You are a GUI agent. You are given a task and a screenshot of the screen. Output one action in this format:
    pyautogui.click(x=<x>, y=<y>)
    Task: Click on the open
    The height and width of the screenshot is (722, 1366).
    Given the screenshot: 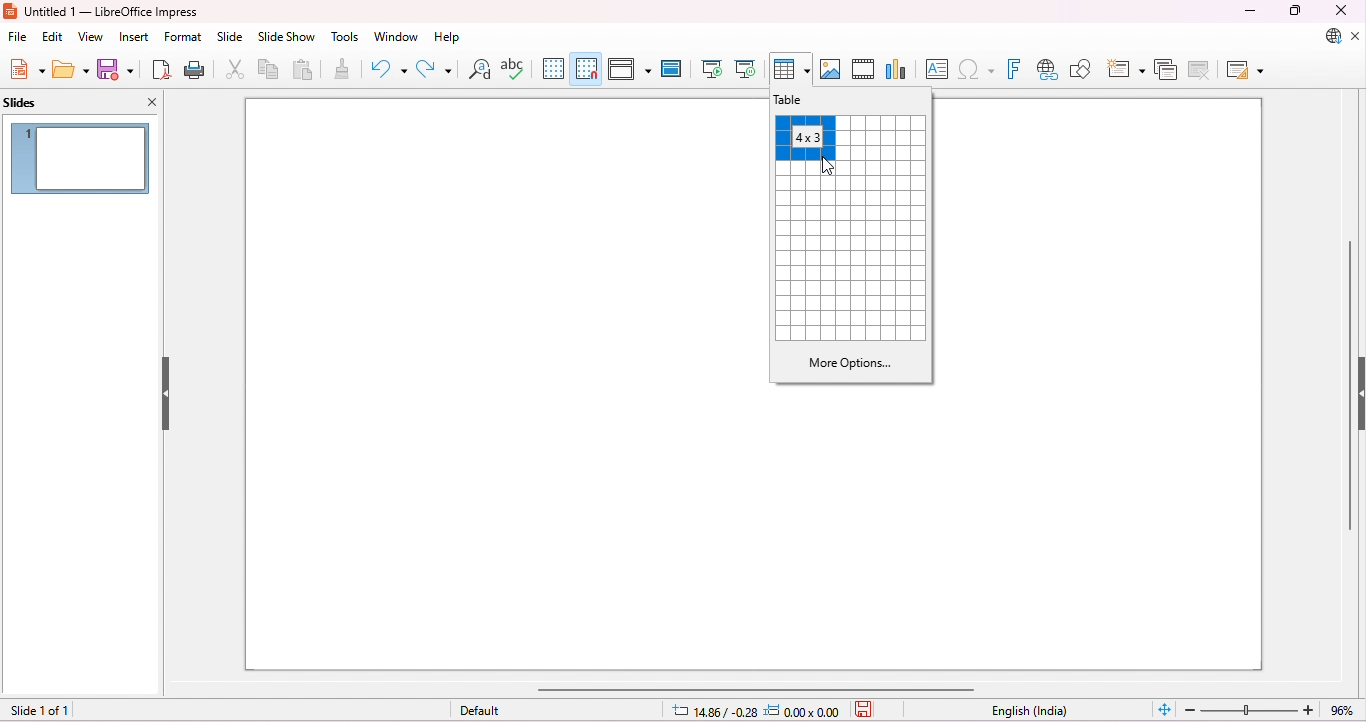 What is the action you would take?
    pyautogui.click(x=71, y=69)
    